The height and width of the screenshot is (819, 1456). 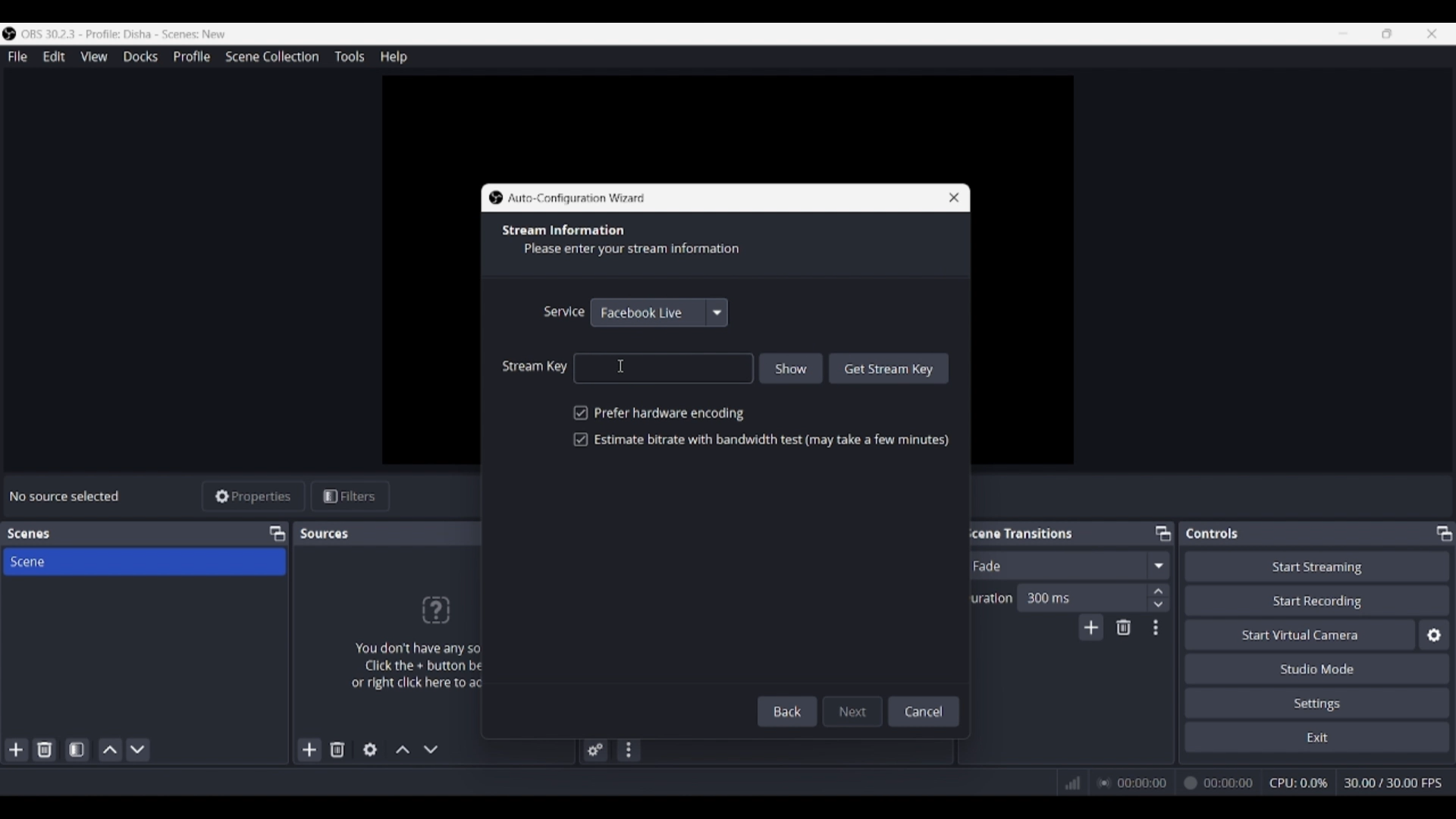 What do you see at coordinates (1432, 33) in the screenshot?
I see `Close interface` at bounding box center [1432, 33].